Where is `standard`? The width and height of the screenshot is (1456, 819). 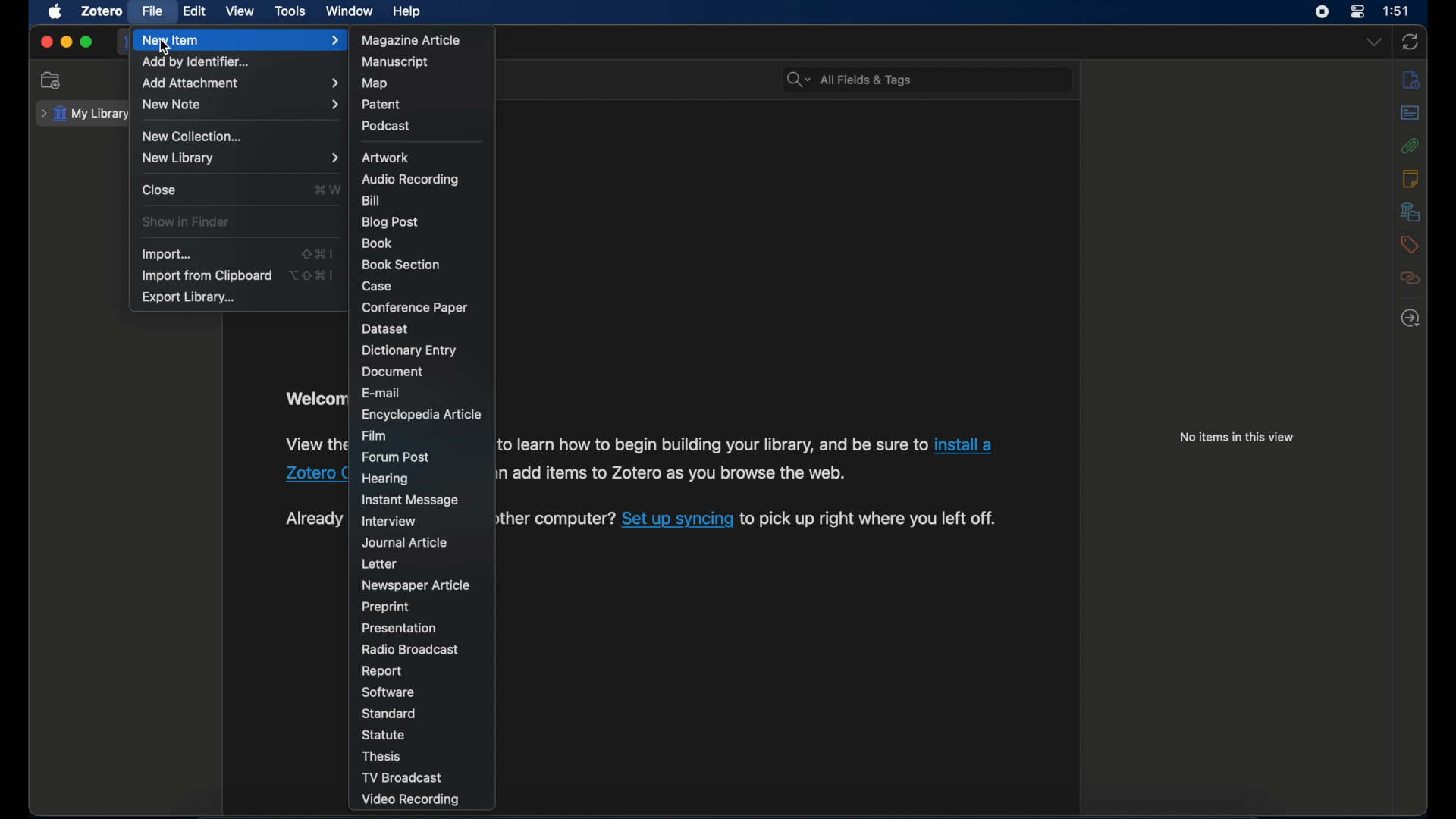
standard is located at coordinates (391, 713).